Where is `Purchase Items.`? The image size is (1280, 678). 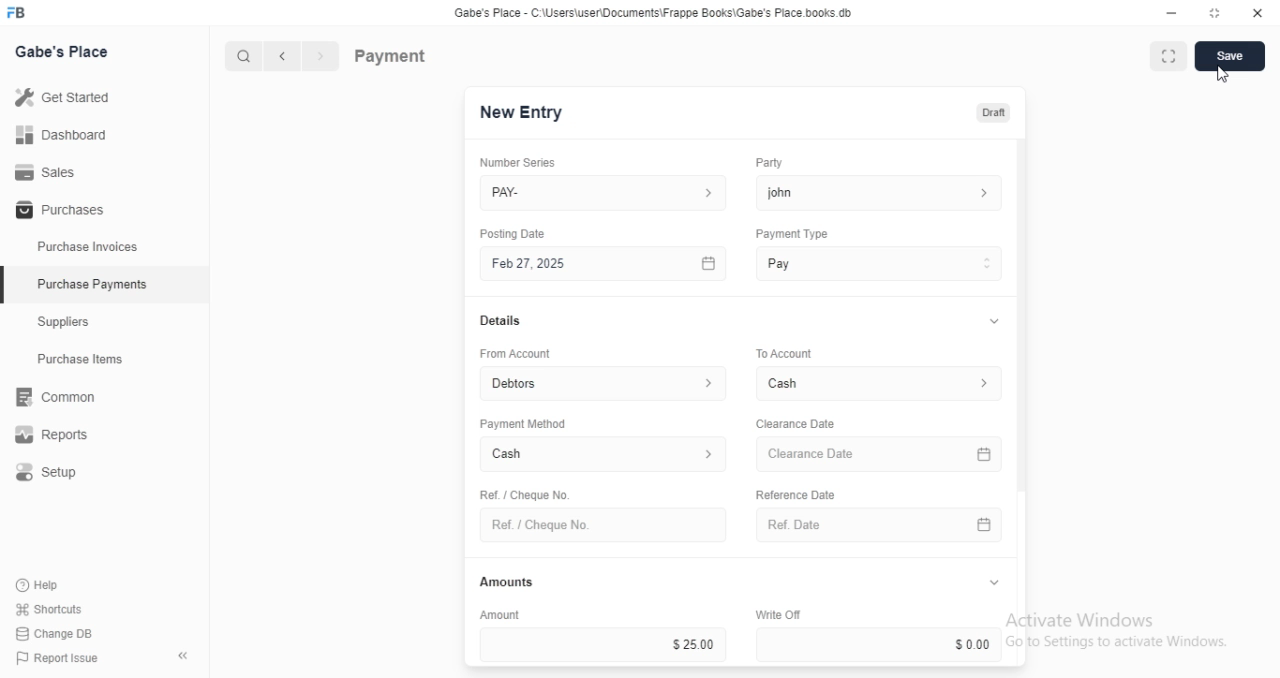
Purchase Items. is located at coordinates (87, 361).